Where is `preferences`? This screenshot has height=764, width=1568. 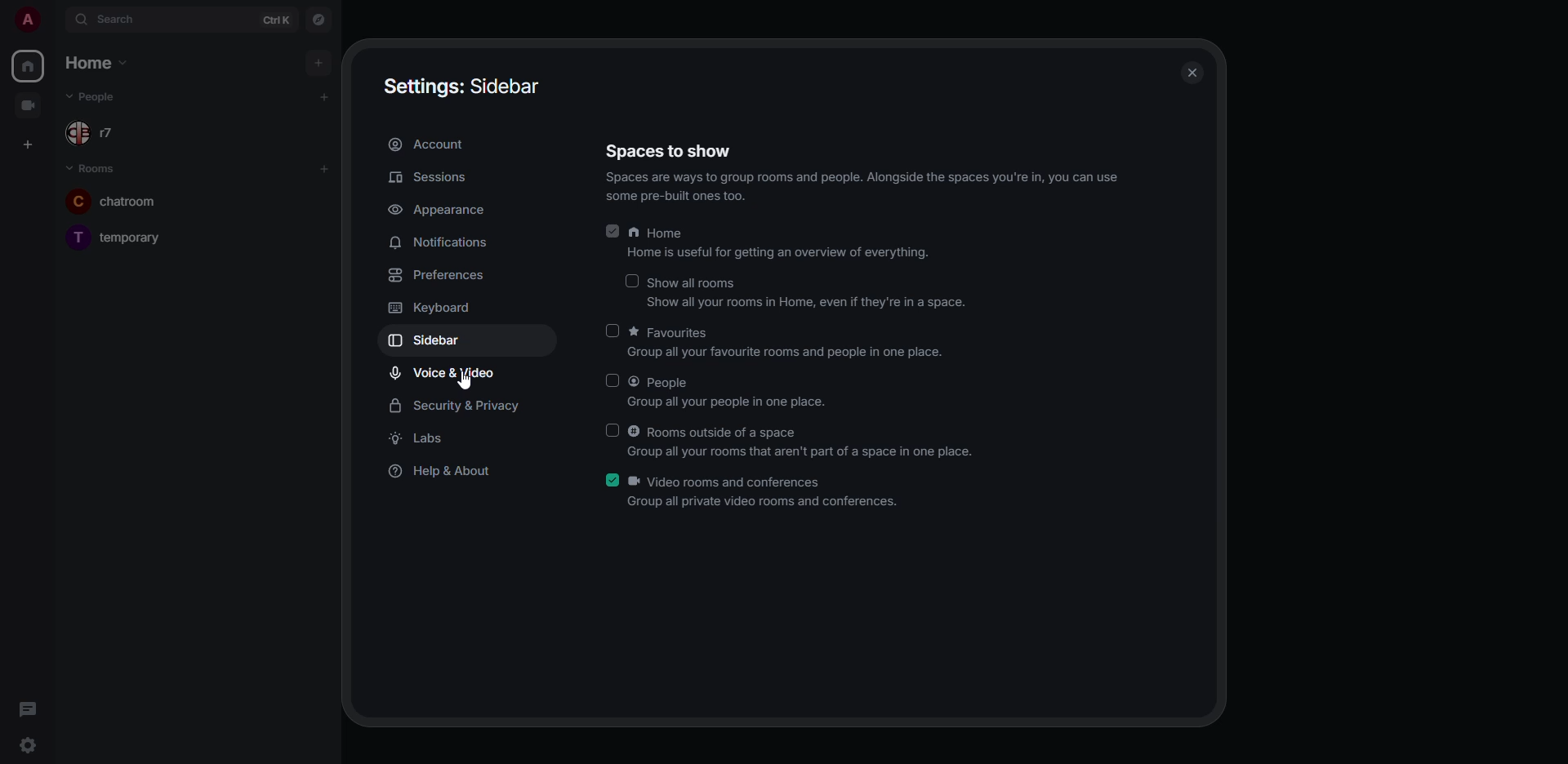 preferences is located at coordinates (442, 274).